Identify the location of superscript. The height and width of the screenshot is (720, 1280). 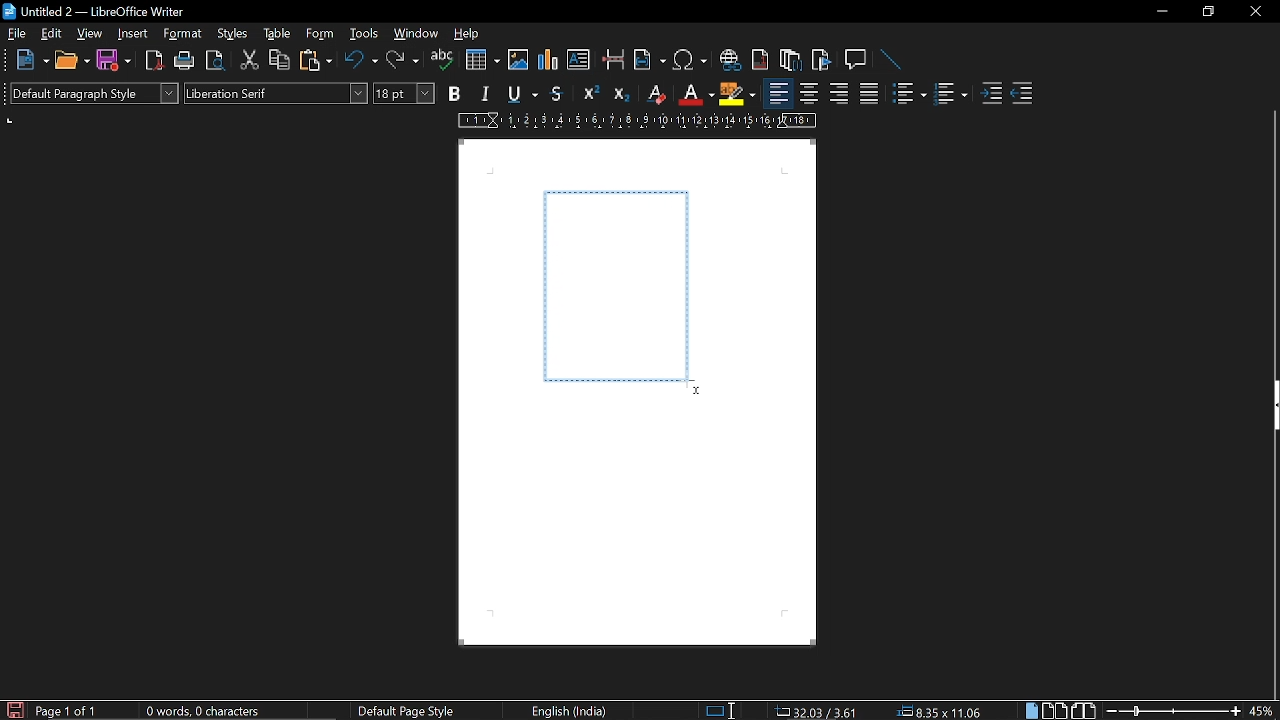
(590, 93).